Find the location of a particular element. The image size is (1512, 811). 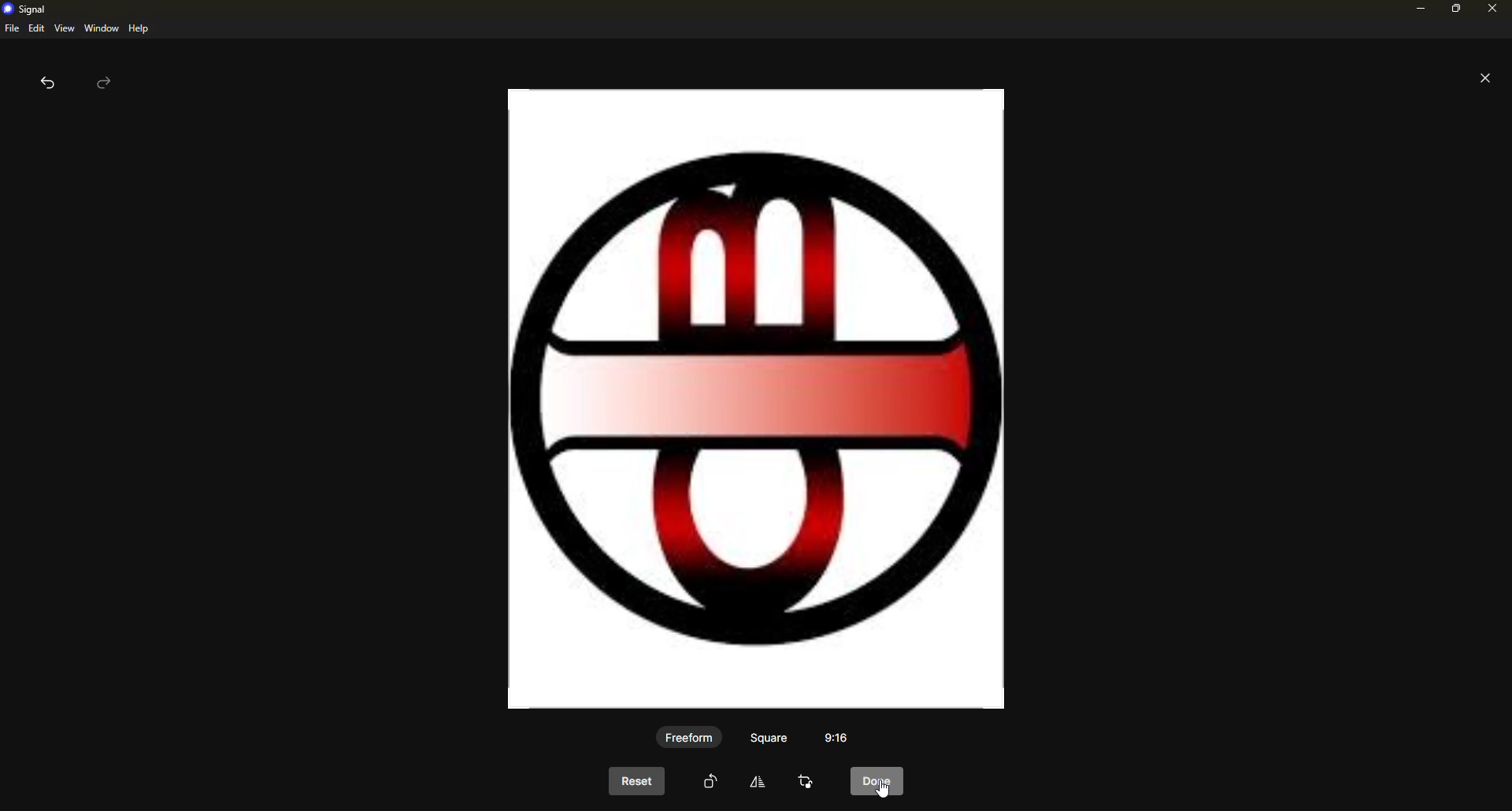

rotate is located at coordinates (713, 781).